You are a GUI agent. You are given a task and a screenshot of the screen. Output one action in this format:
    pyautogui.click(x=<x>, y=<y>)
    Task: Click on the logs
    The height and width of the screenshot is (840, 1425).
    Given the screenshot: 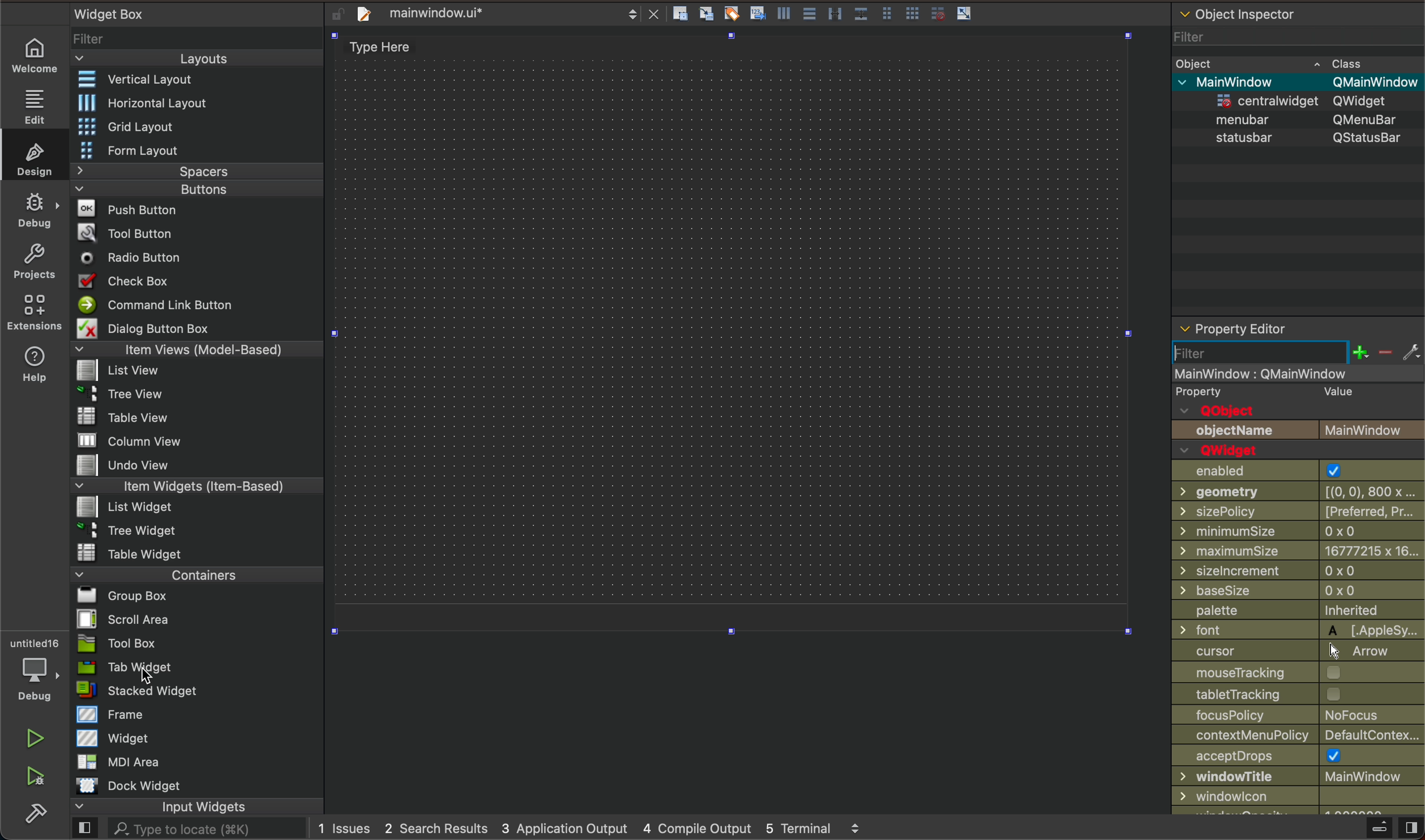 What is the action you would take?
    pyautogui.click(x=594, y=828)
    